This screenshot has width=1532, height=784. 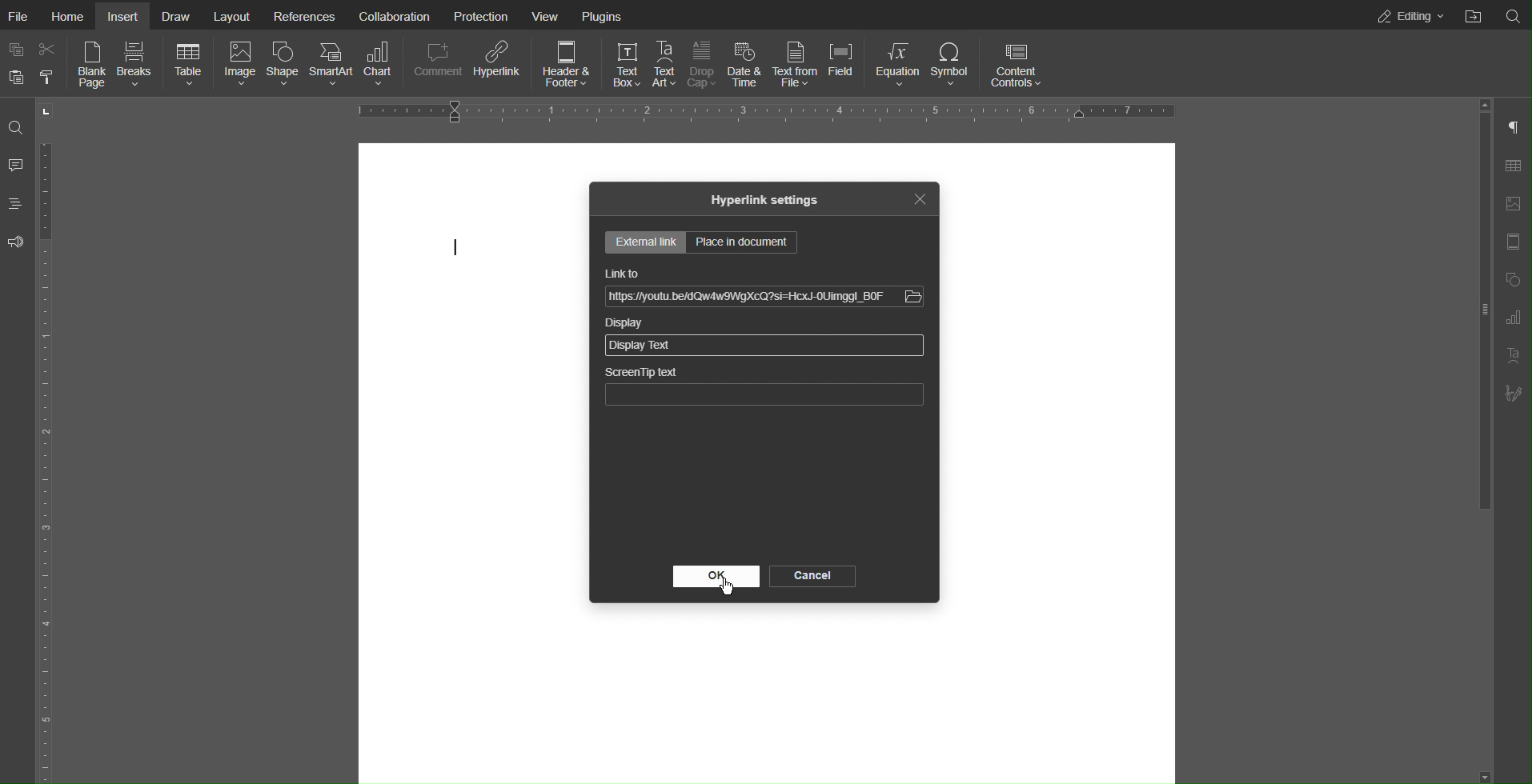 I want to click on Paragraph Settings, so click(x=1511, y=318).